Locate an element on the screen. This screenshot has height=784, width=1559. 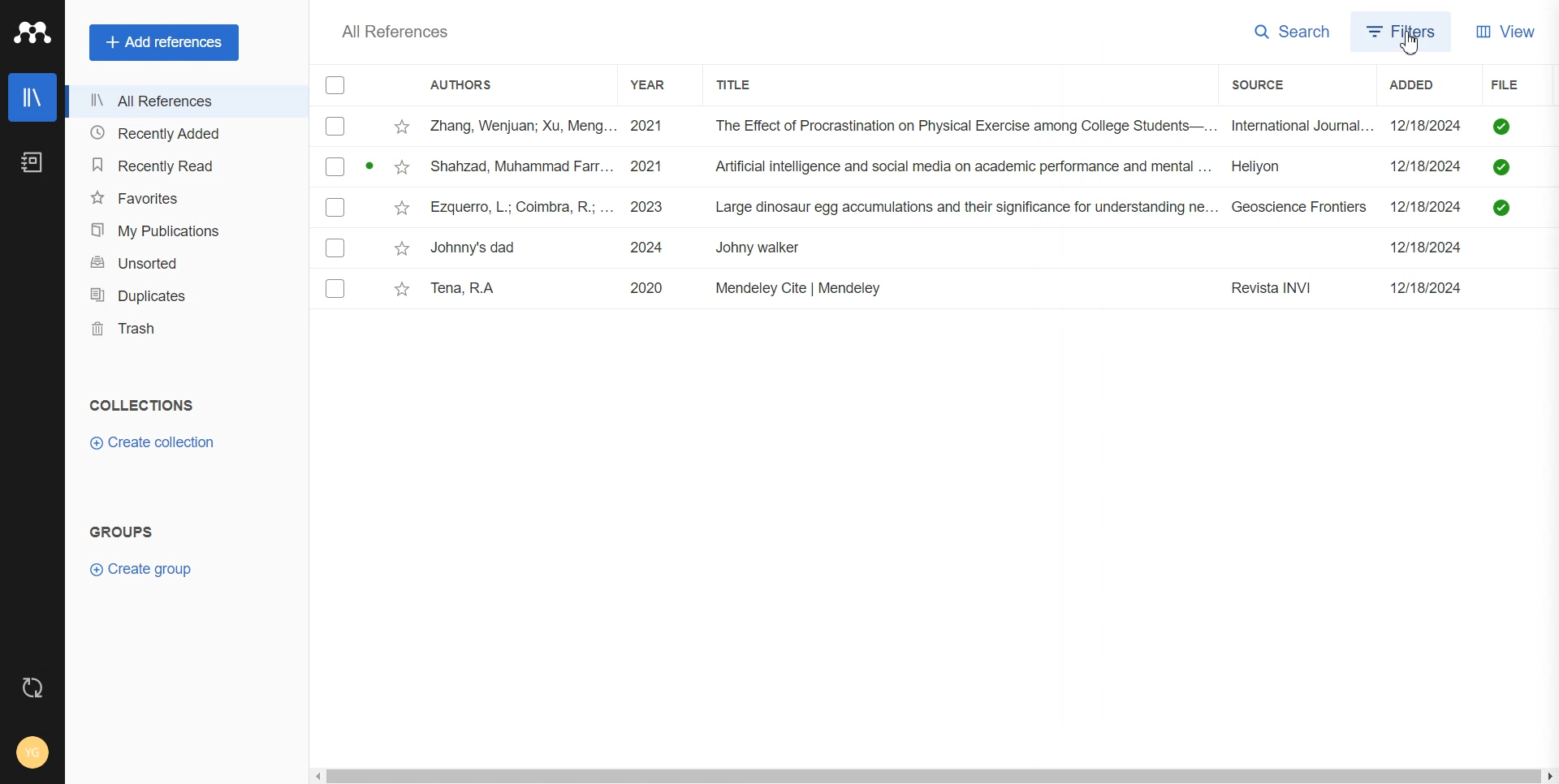
Account is located at coordinates (32, 754).